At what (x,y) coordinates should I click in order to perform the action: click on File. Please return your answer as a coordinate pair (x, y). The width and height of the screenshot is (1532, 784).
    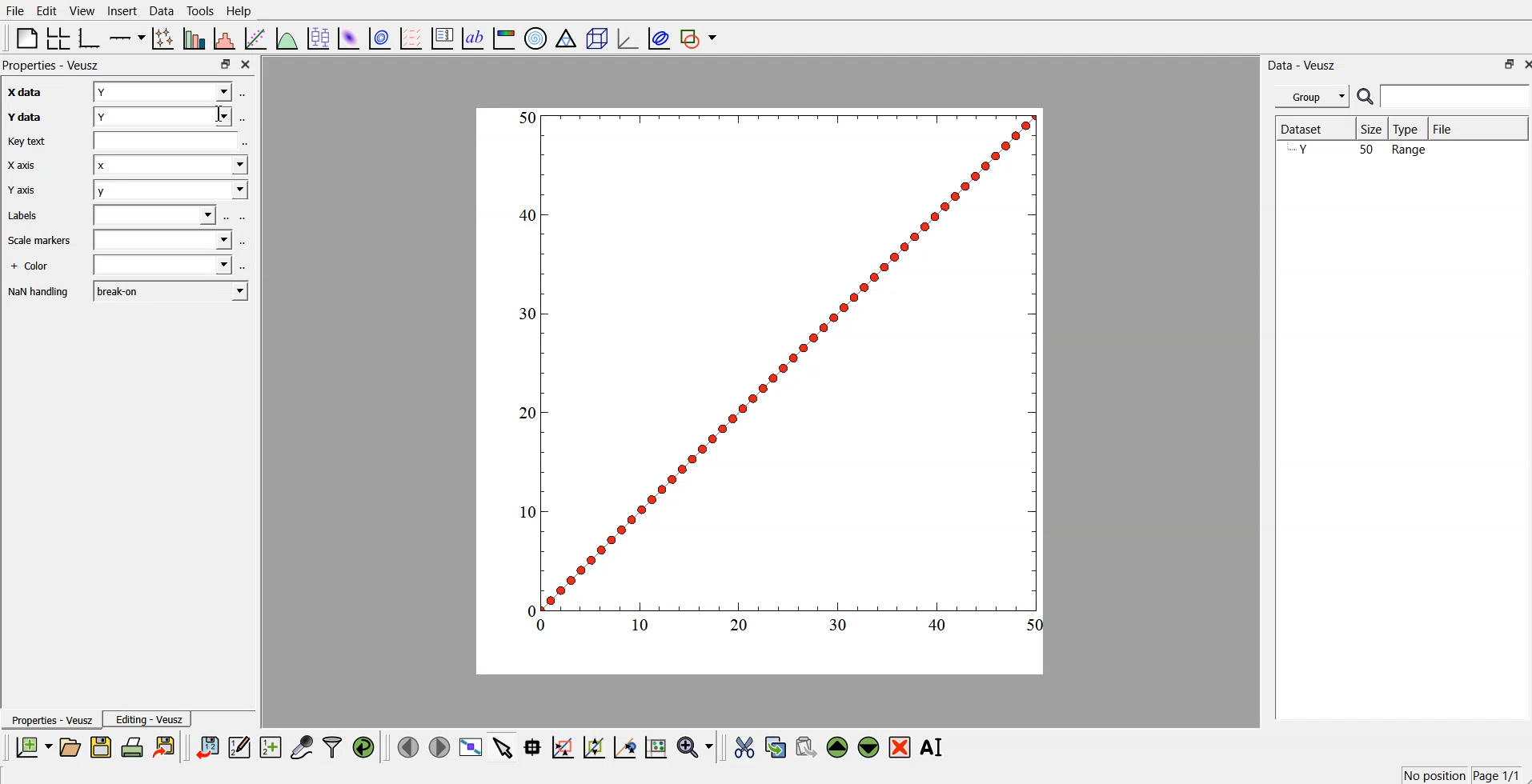
    Looking at the image, I should click on (1448, 126).